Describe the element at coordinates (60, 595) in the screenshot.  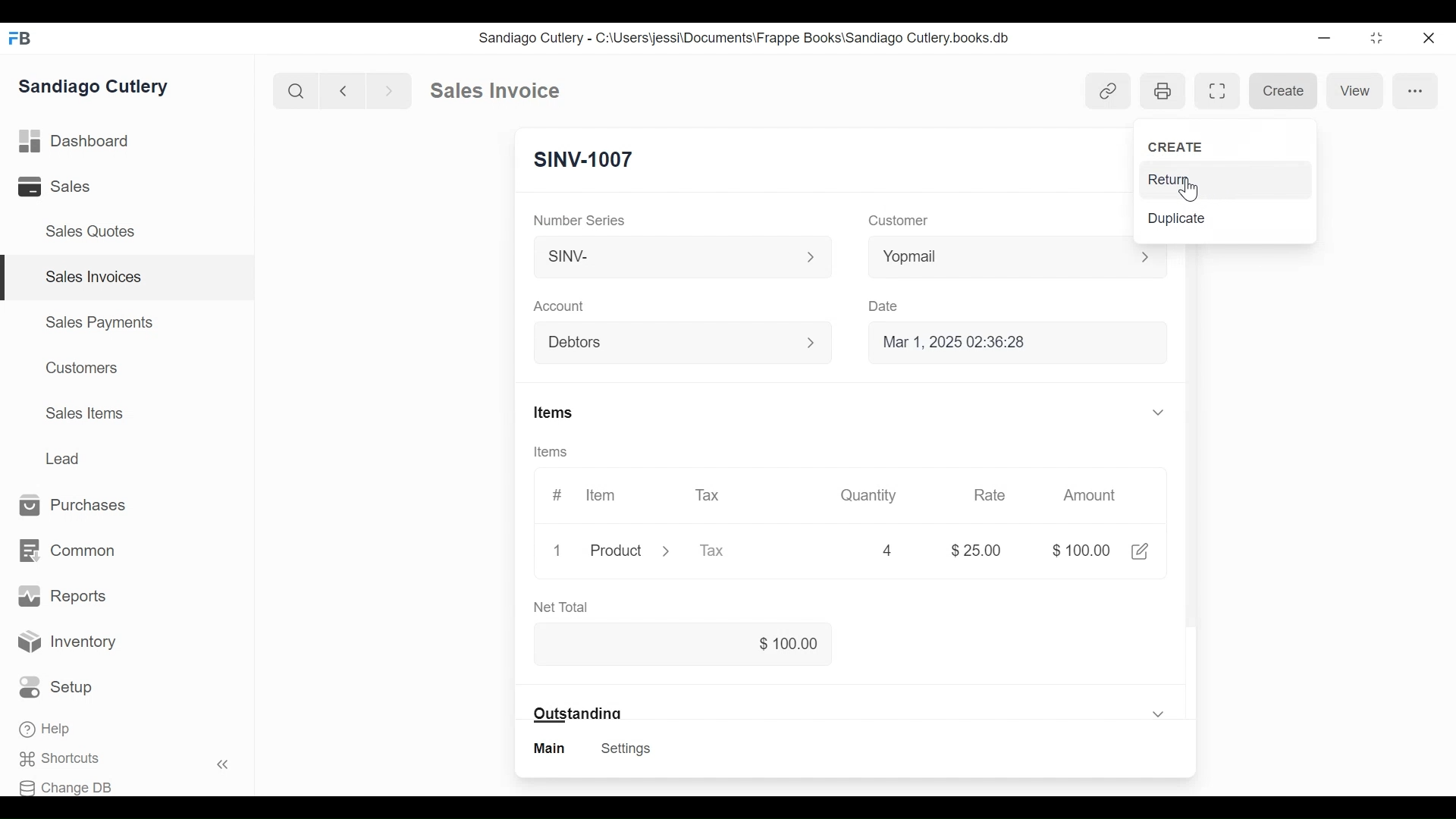
I see `Reports` at that location.